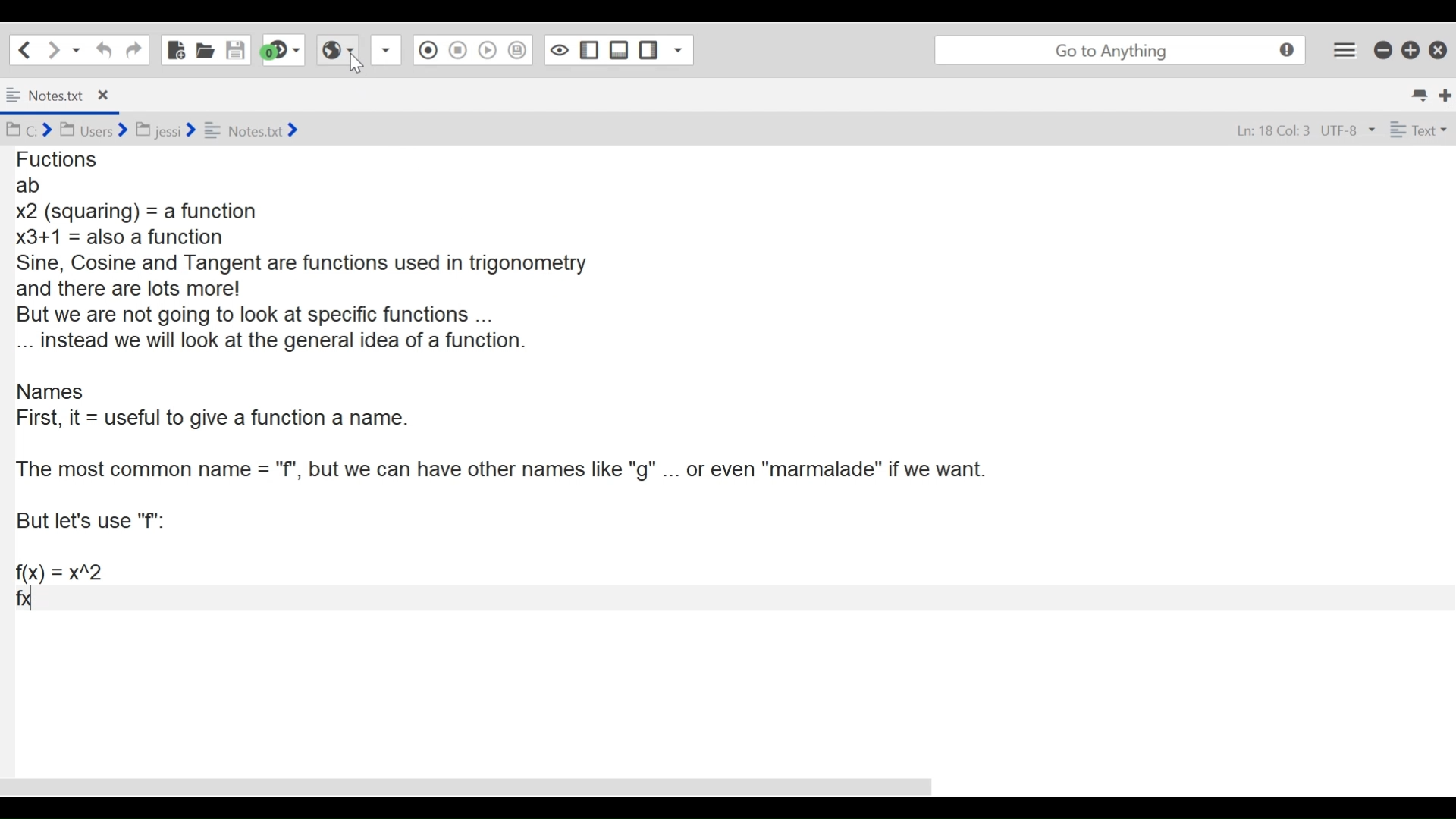 The height and width of the screenshot is (819, 1456). Describe the element at coordinates (388, 50) in the screenshot. I see `show specific sidebar/tab` at that location.